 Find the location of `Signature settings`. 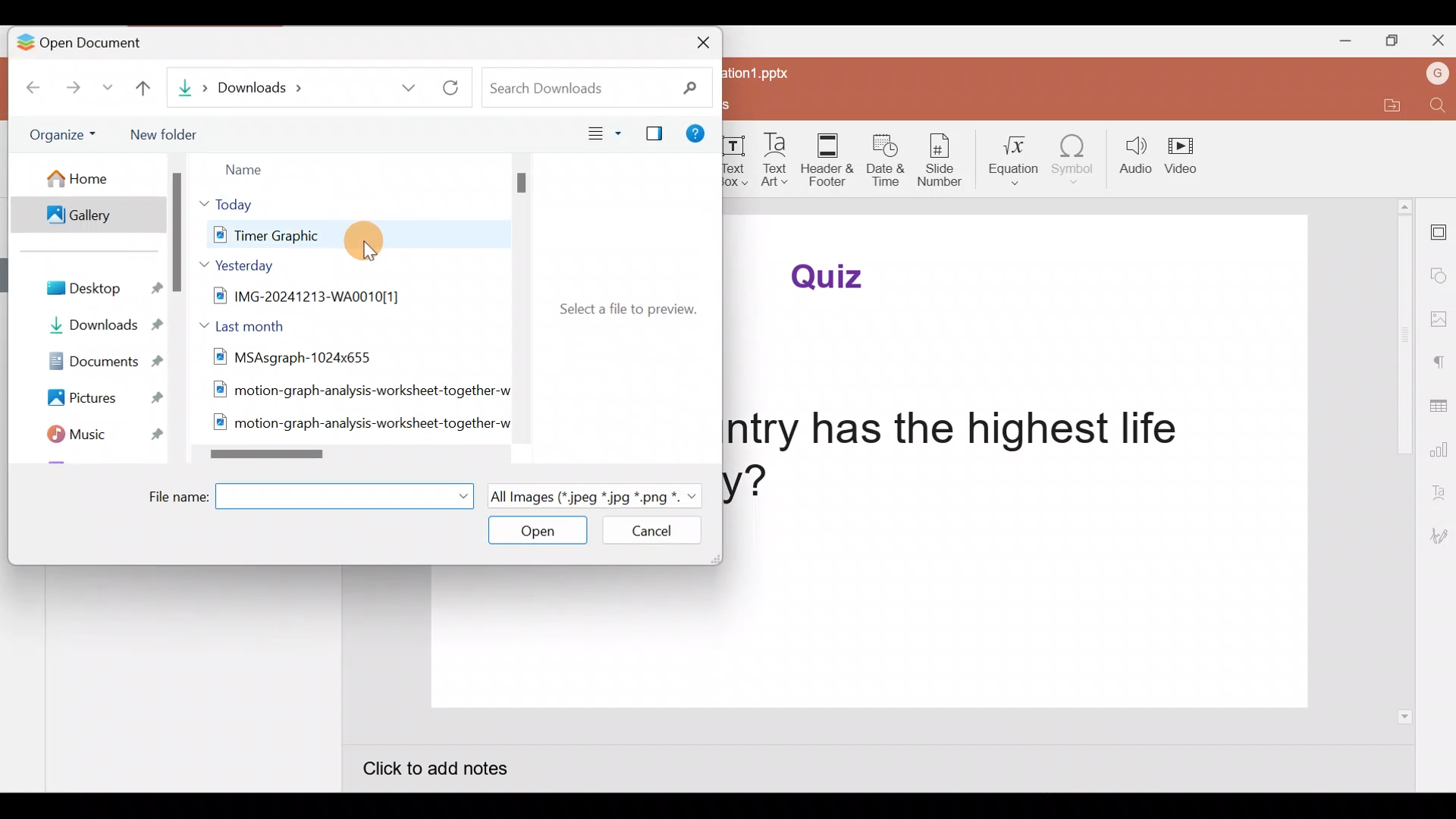

Signature settings is located at coordinates (1439, 536).